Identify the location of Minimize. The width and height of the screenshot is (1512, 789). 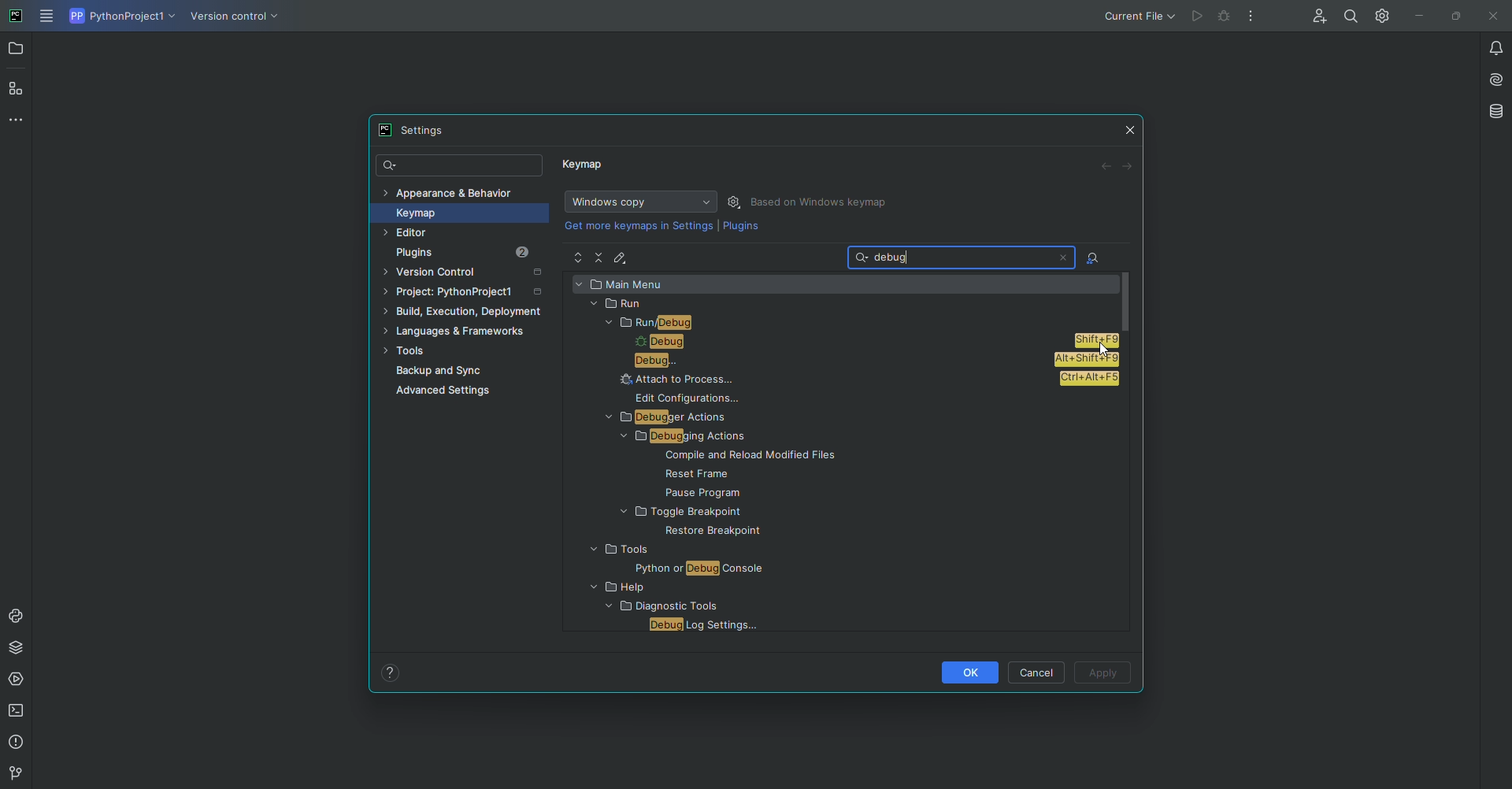
(1415, 16).